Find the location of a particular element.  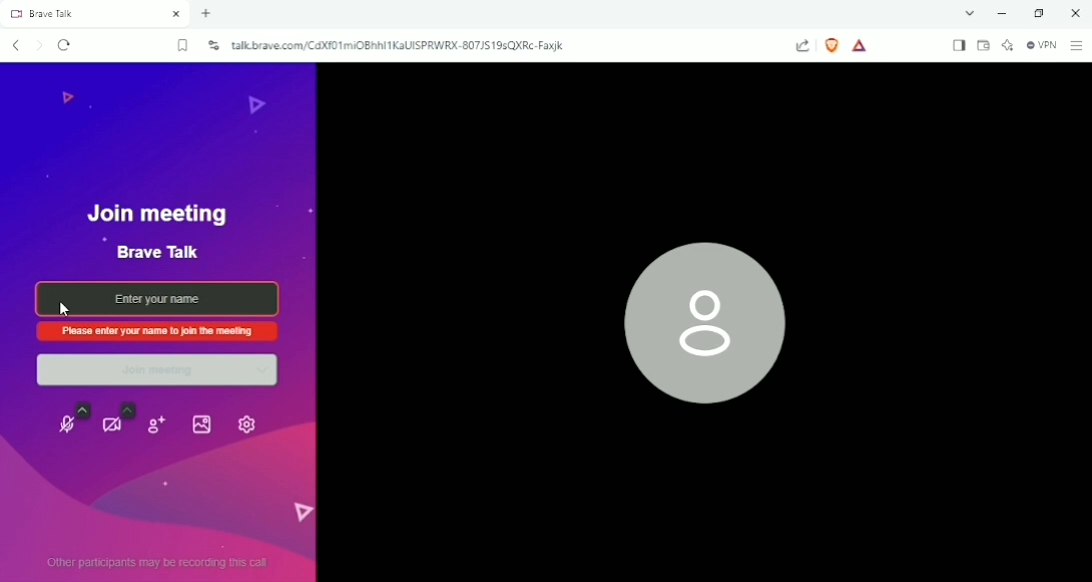

Brave Shields is located at coordinates (832, 45).